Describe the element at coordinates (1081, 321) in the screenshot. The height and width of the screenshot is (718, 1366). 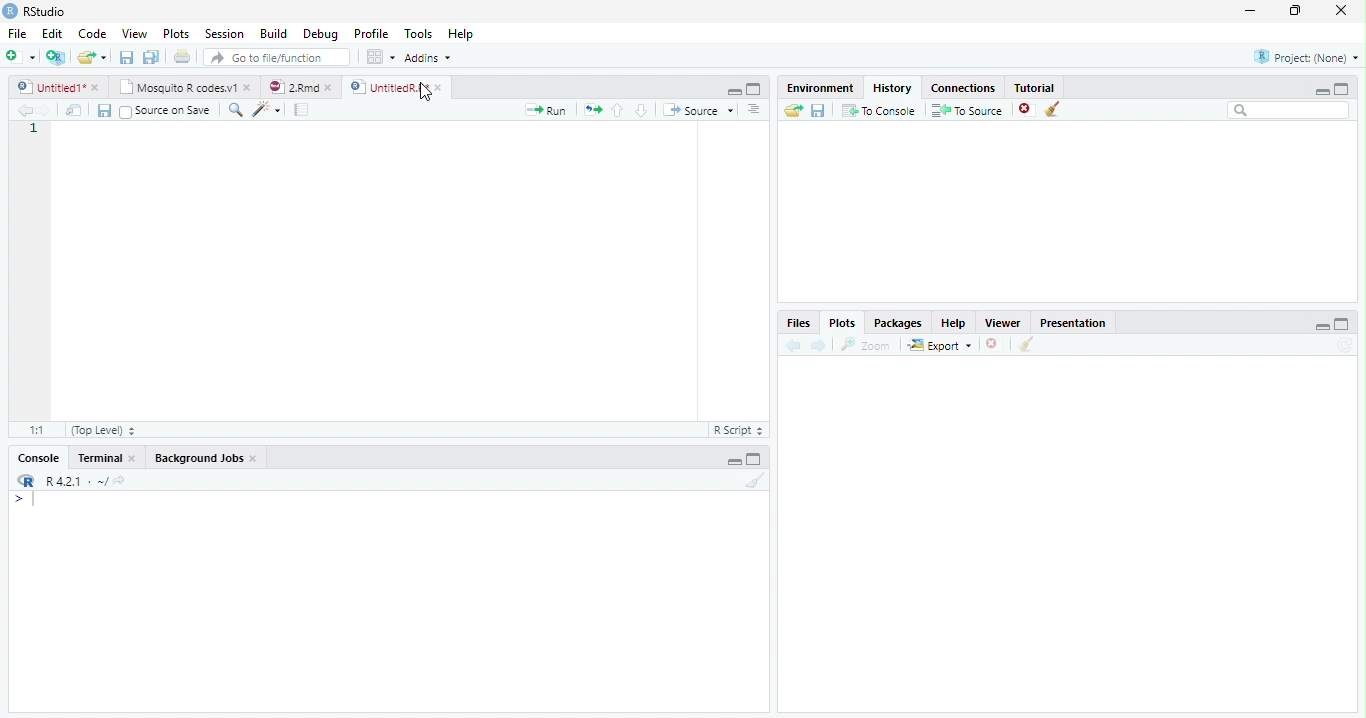
I see `Presentation` at that location.